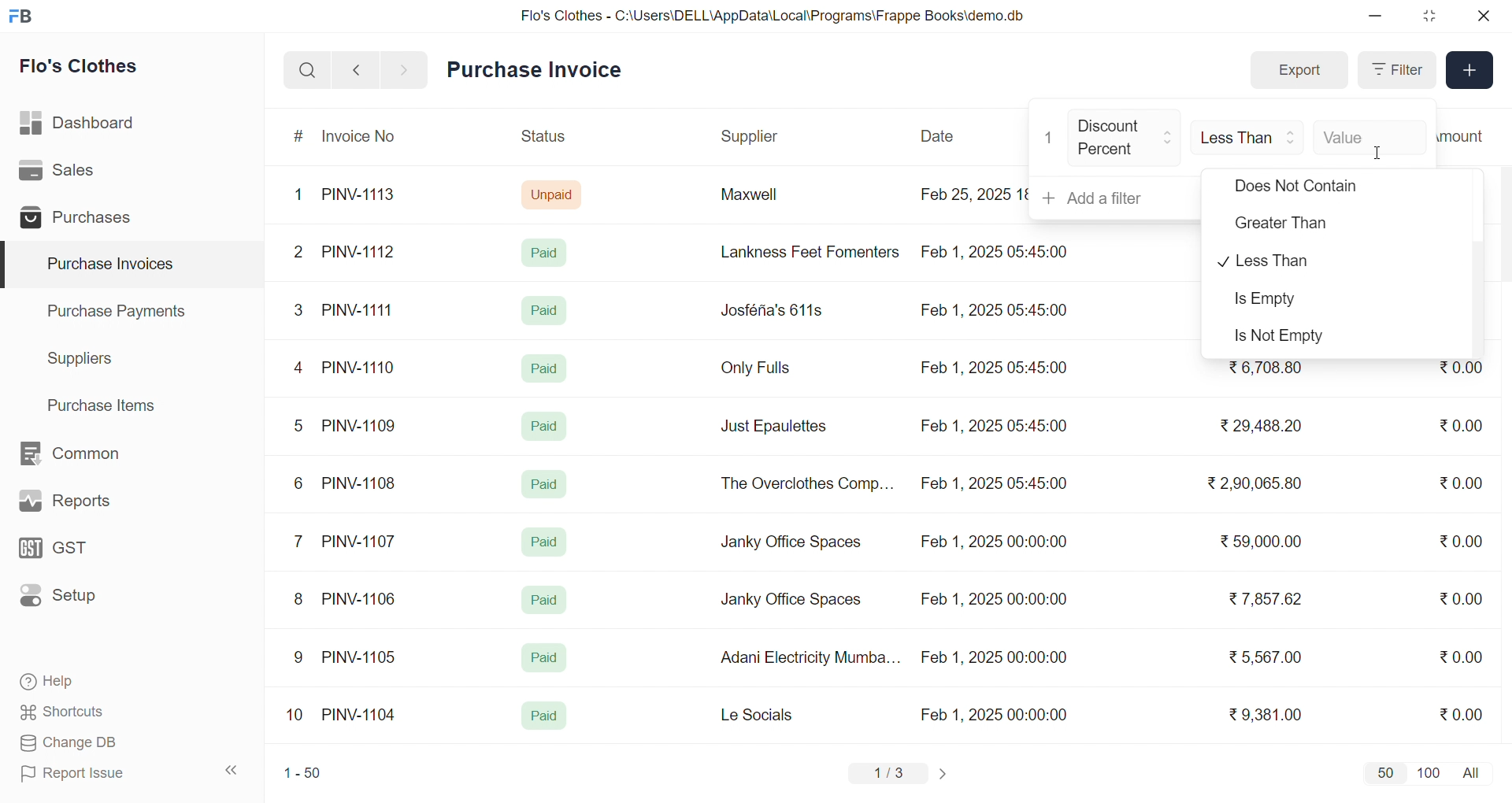  Describe the element at coordinates (82, 601) in the screenshot. I see `Setup` at that location.